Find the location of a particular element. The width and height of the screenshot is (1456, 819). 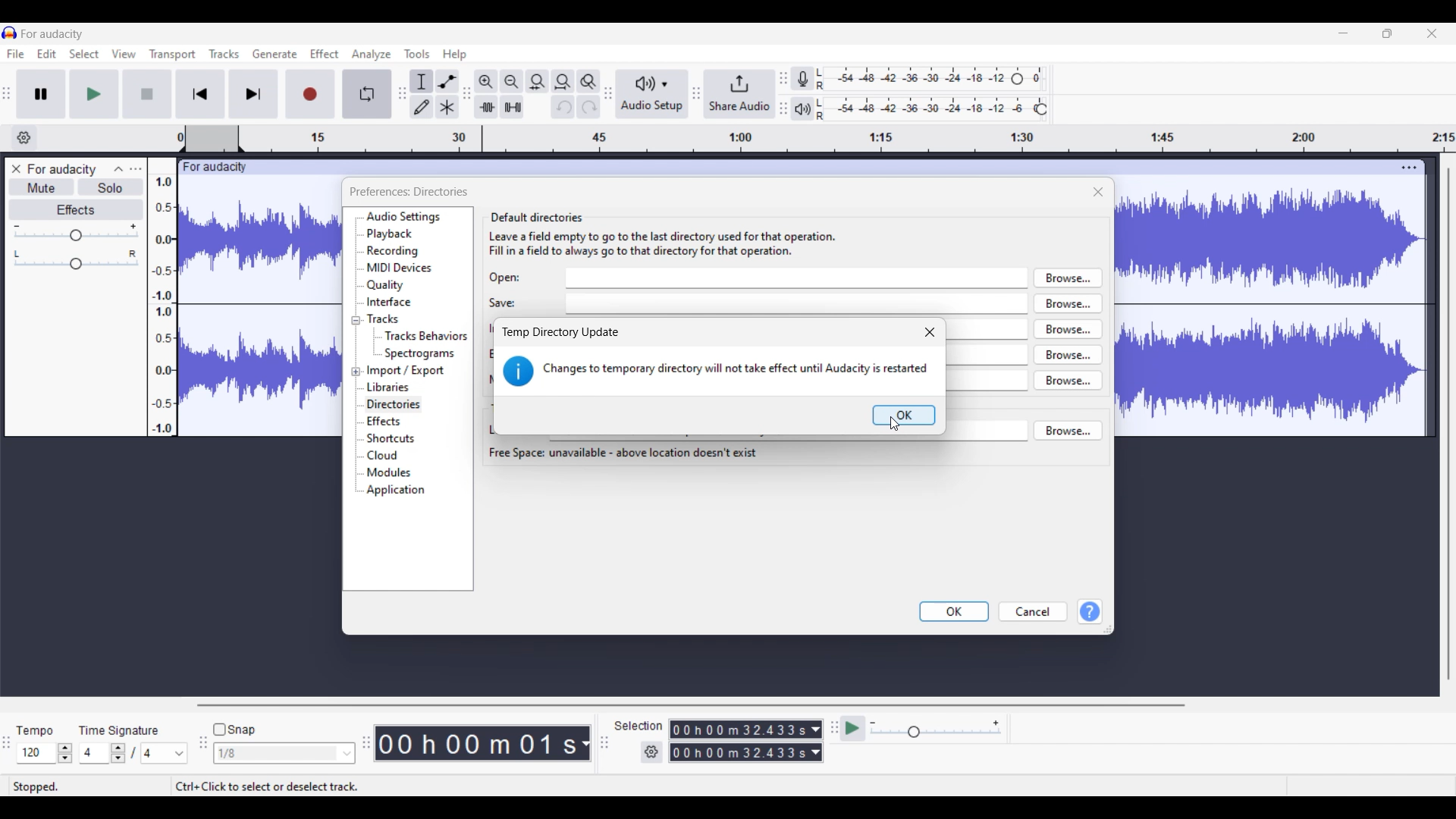

OK is located at coordinates (955, 612).